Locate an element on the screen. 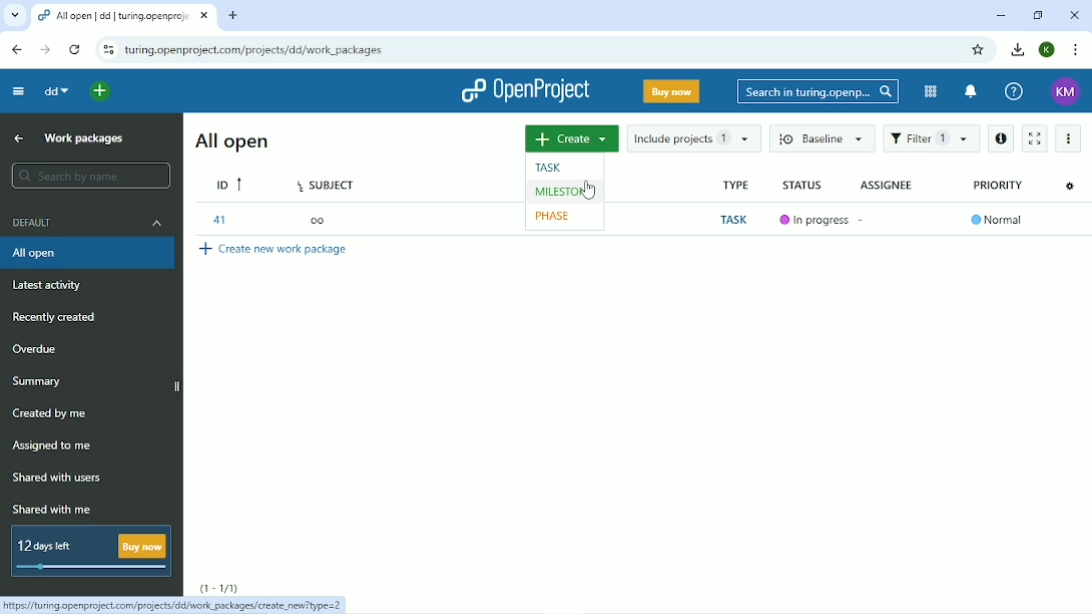  Baseline is located at coordinates (822, 140).